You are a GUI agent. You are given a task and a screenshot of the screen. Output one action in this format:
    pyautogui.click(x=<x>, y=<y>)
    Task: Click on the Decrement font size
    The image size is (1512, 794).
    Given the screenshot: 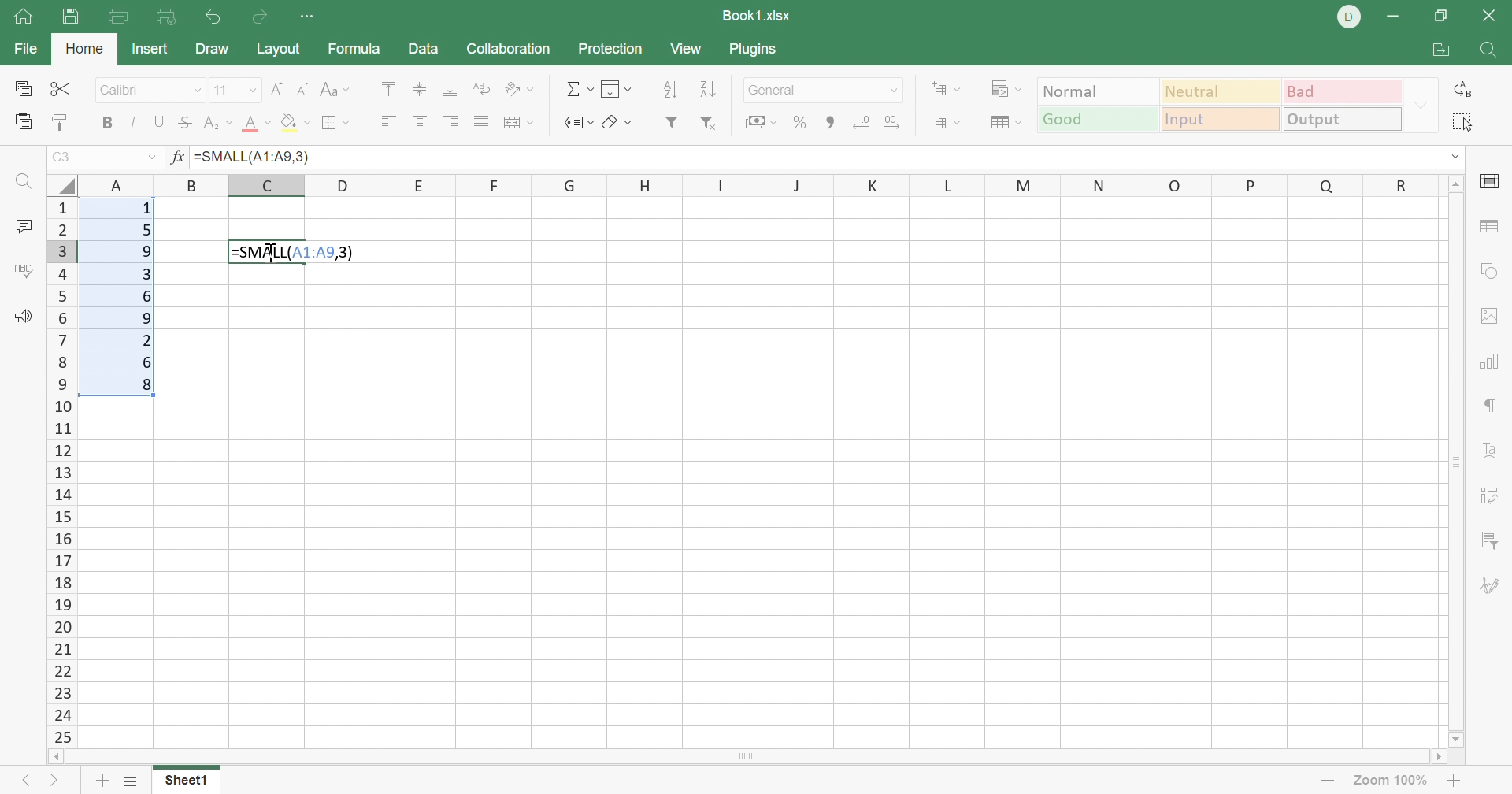 What is the action you would take?
    pyautogui.click(x=302, y=87)
    